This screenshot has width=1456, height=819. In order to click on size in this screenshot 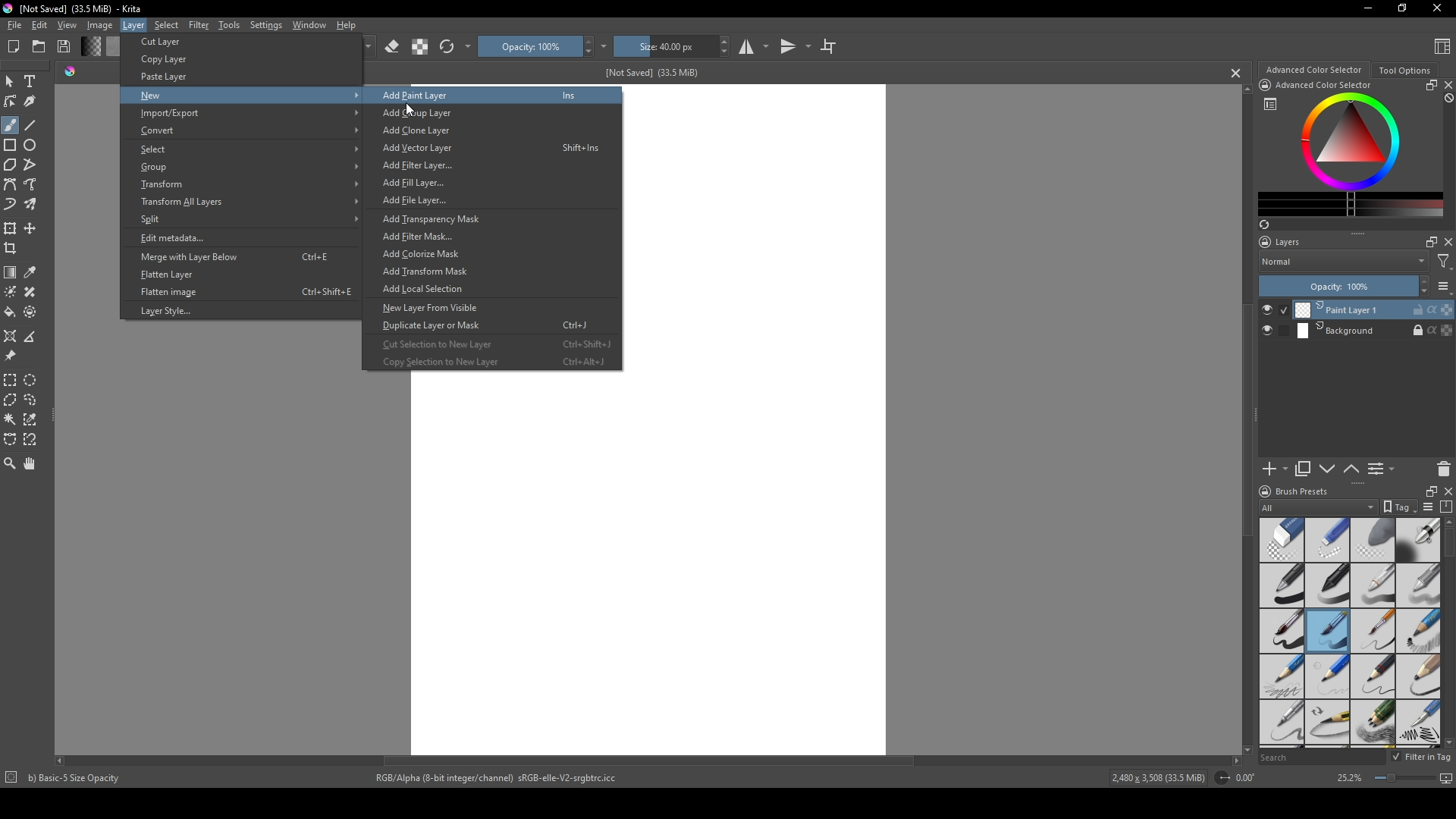, I will do `click(664, 46)`.